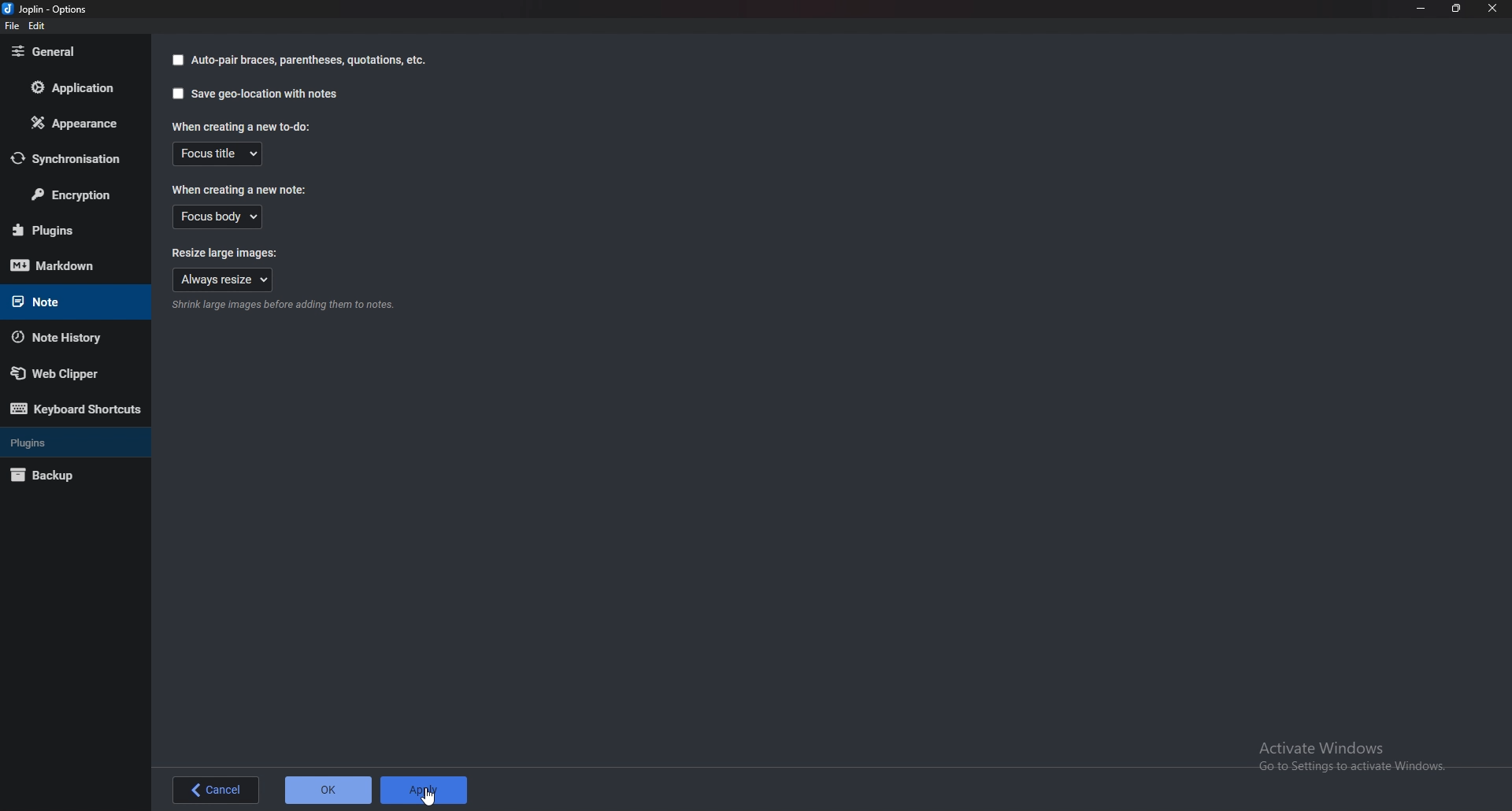  What do you see at coordinates (236, 252) in the screenshot?
I see `Resize large images` at bounding box center [236, 252].